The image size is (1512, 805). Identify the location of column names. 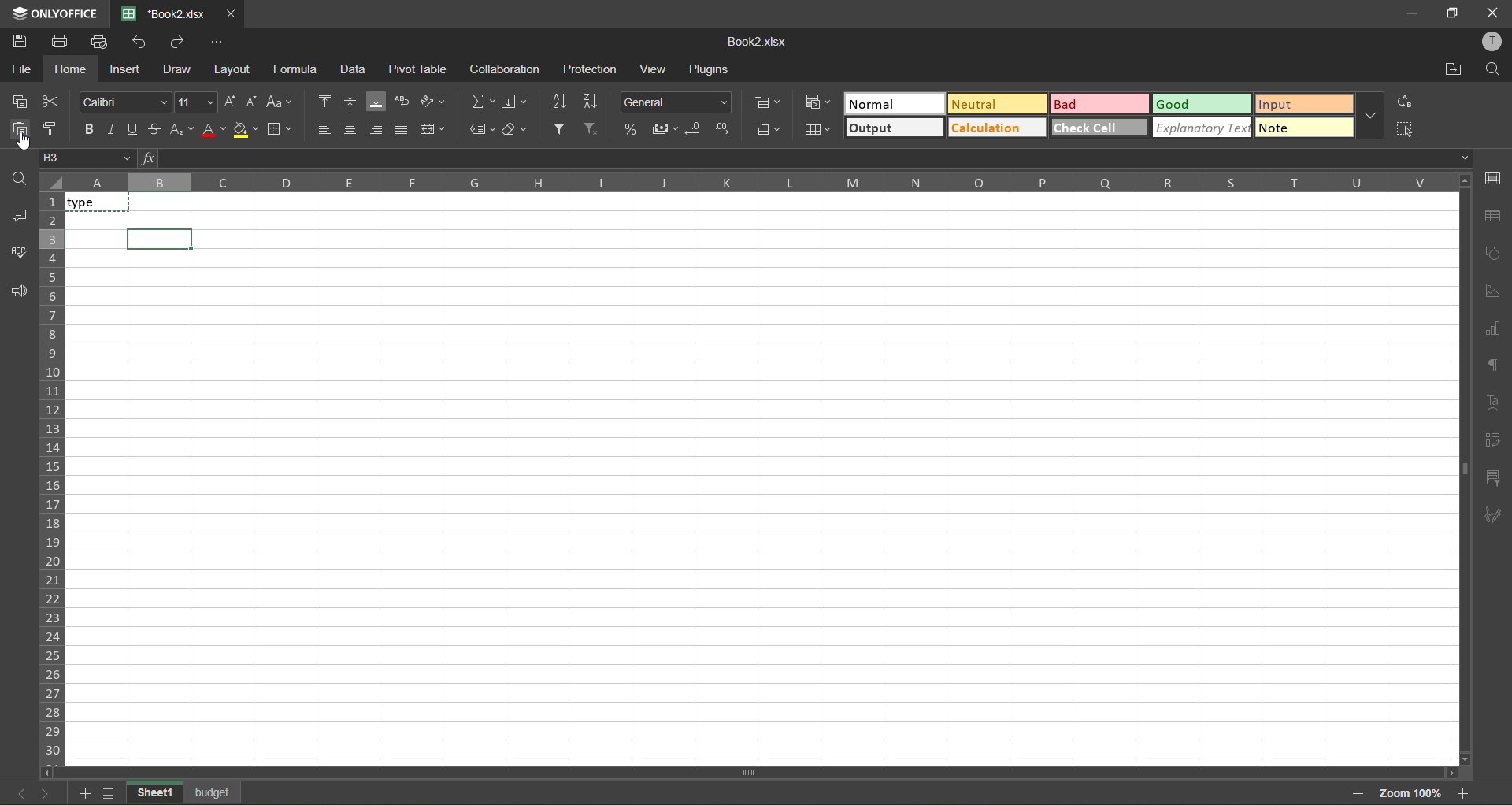
(756, 184).